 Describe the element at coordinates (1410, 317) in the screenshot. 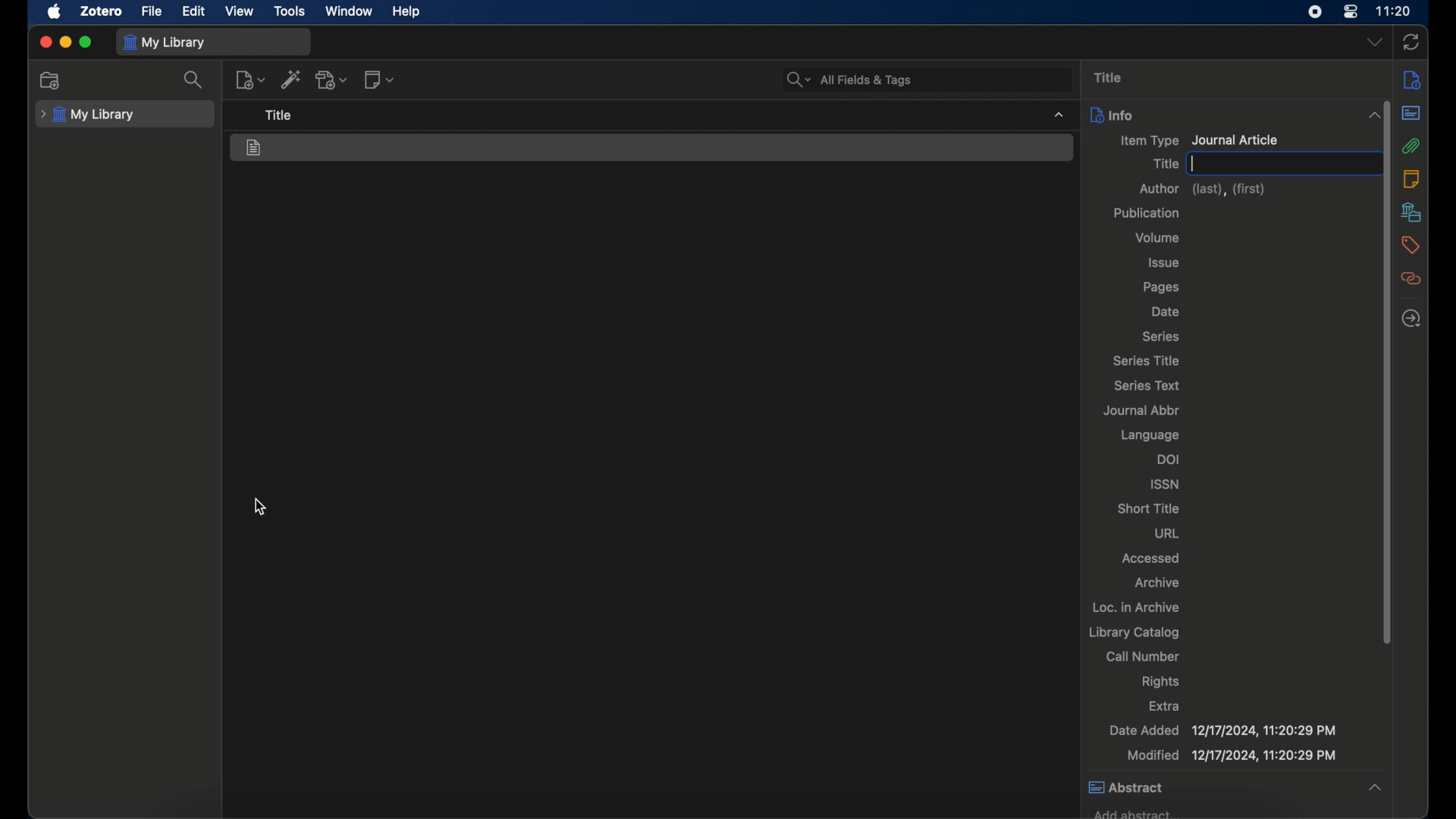

I see `locate` at that location.